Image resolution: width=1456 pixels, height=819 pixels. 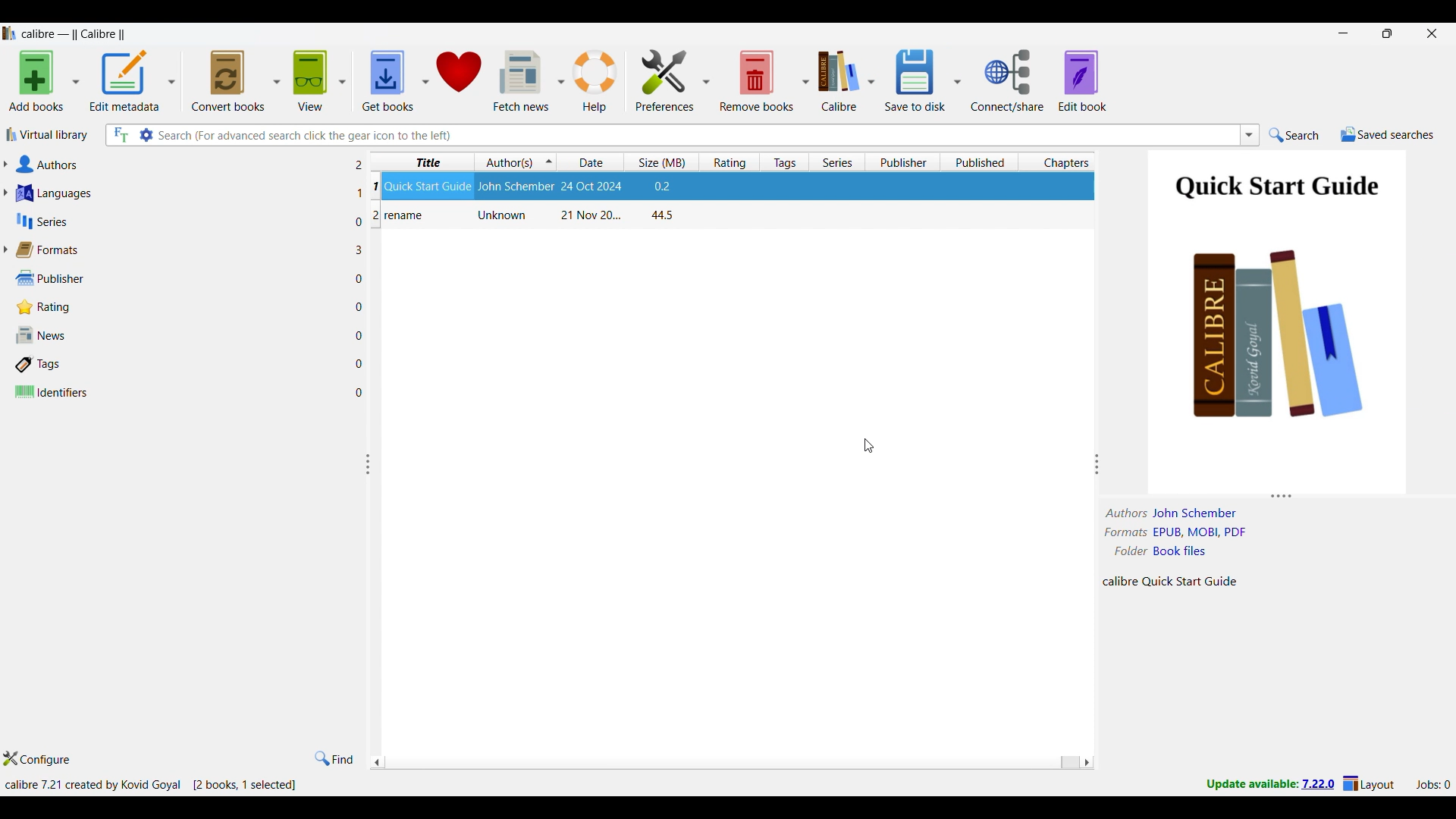 What do you see at coordinates (395, 80) in the screenshot?
I see `Options to get books` at bounding box center [395, 80].